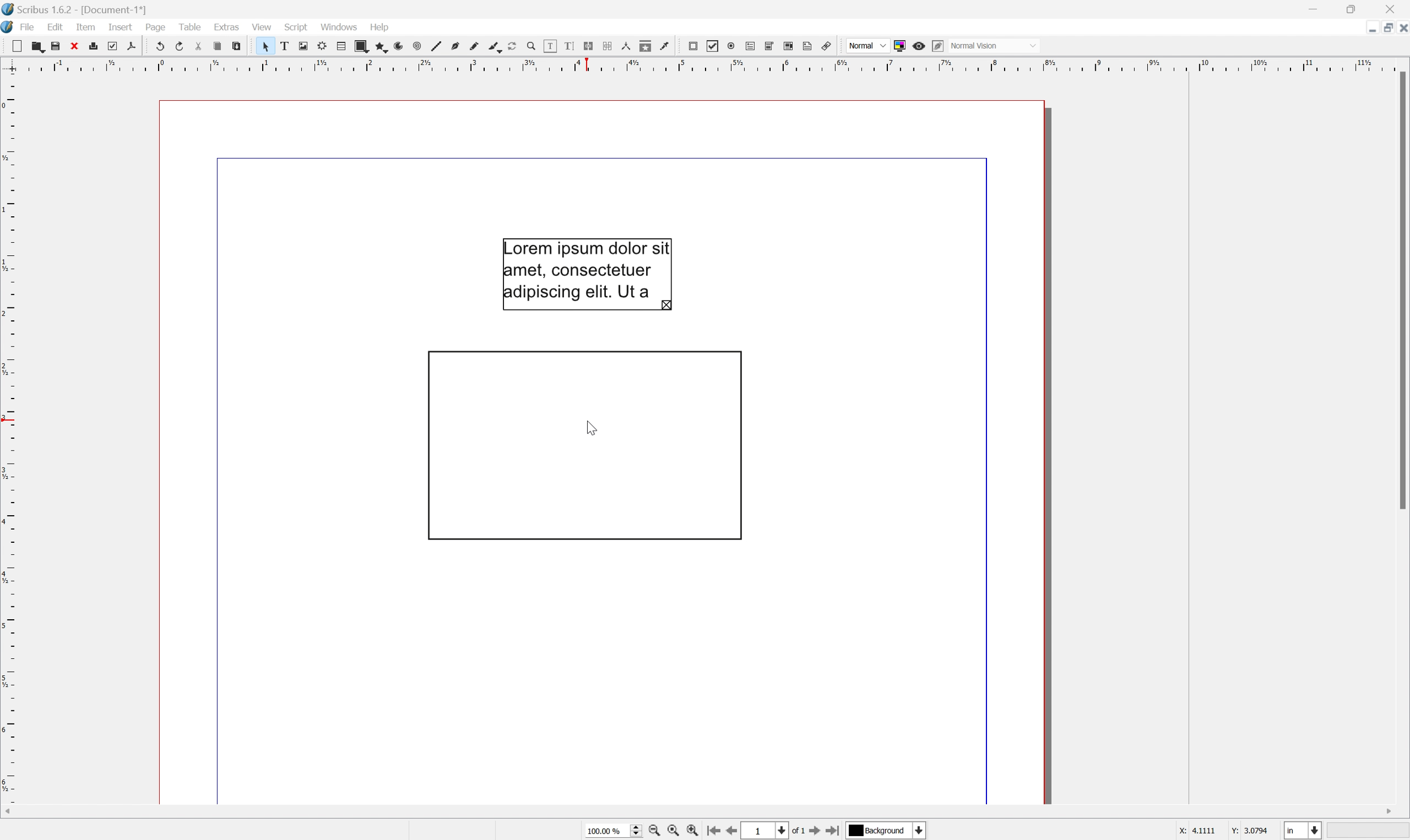  Describe the element at coordinates (237, 46) in the screenshot. I see `Paste` at that location.